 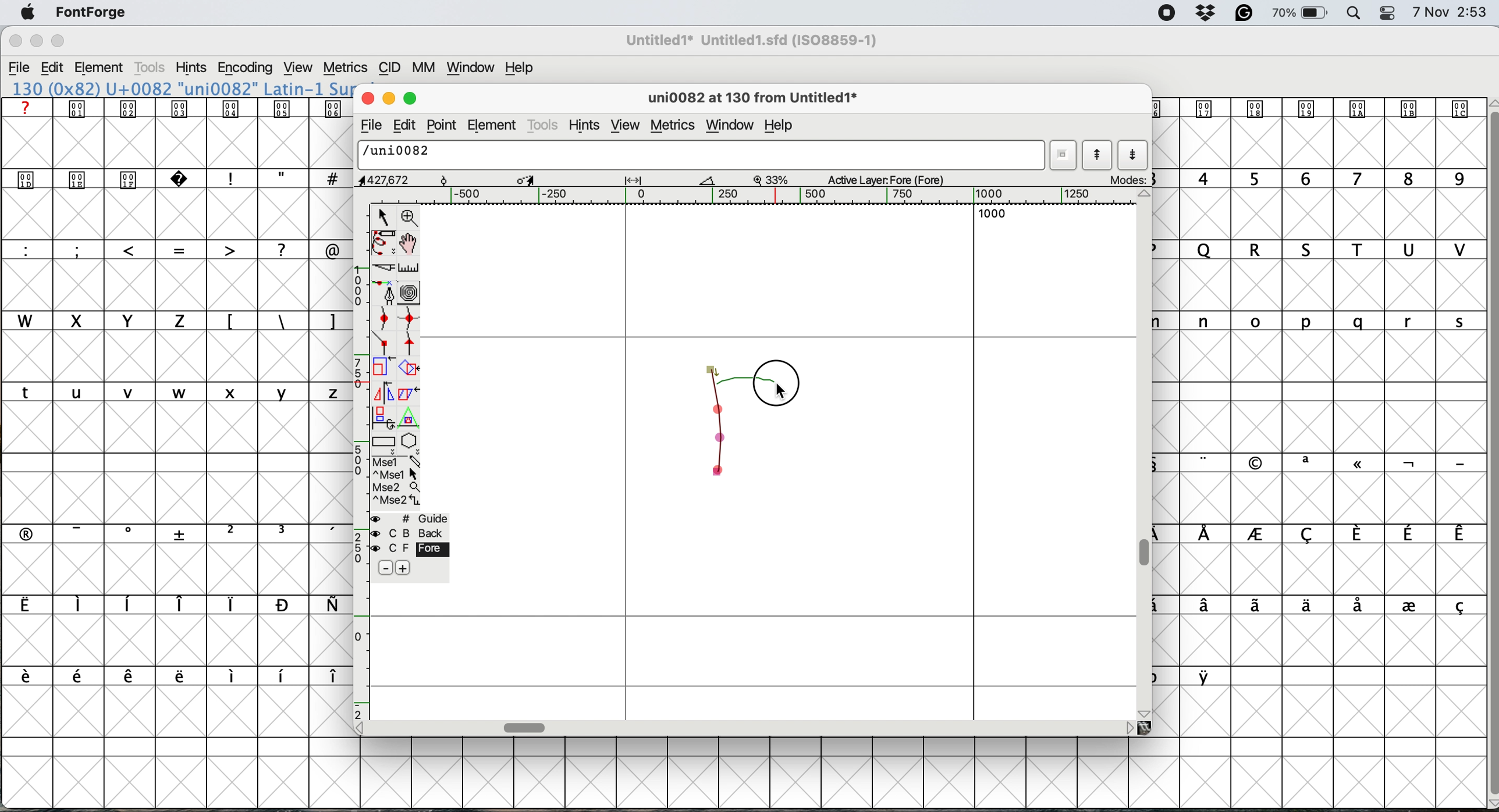 I want to click on special characters, so click(x=168, y=675).